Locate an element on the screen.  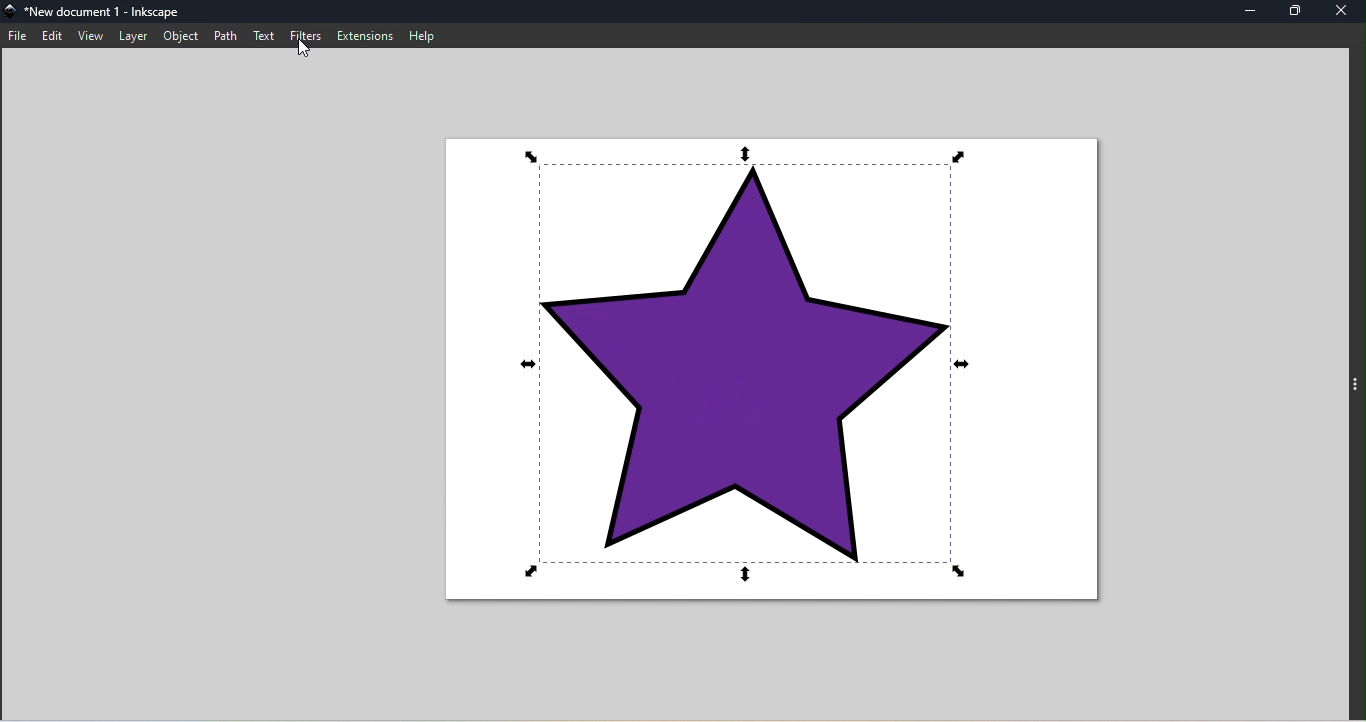
cursor is located at coordinates (297, 48).